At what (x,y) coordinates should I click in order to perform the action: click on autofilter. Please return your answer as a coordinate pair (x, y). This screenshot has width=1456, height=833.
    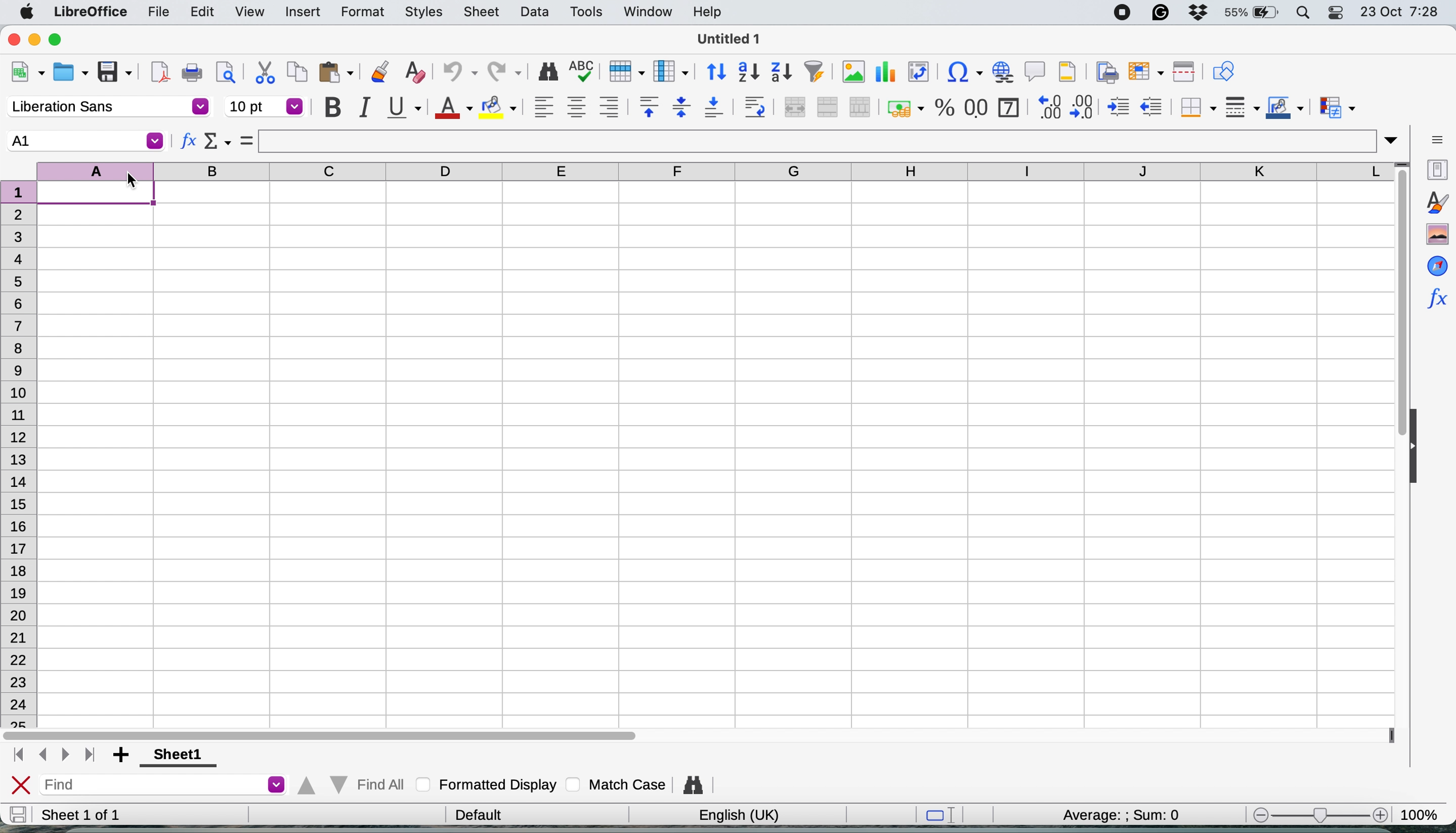
    Looking at the image, I should click on (814, 71).